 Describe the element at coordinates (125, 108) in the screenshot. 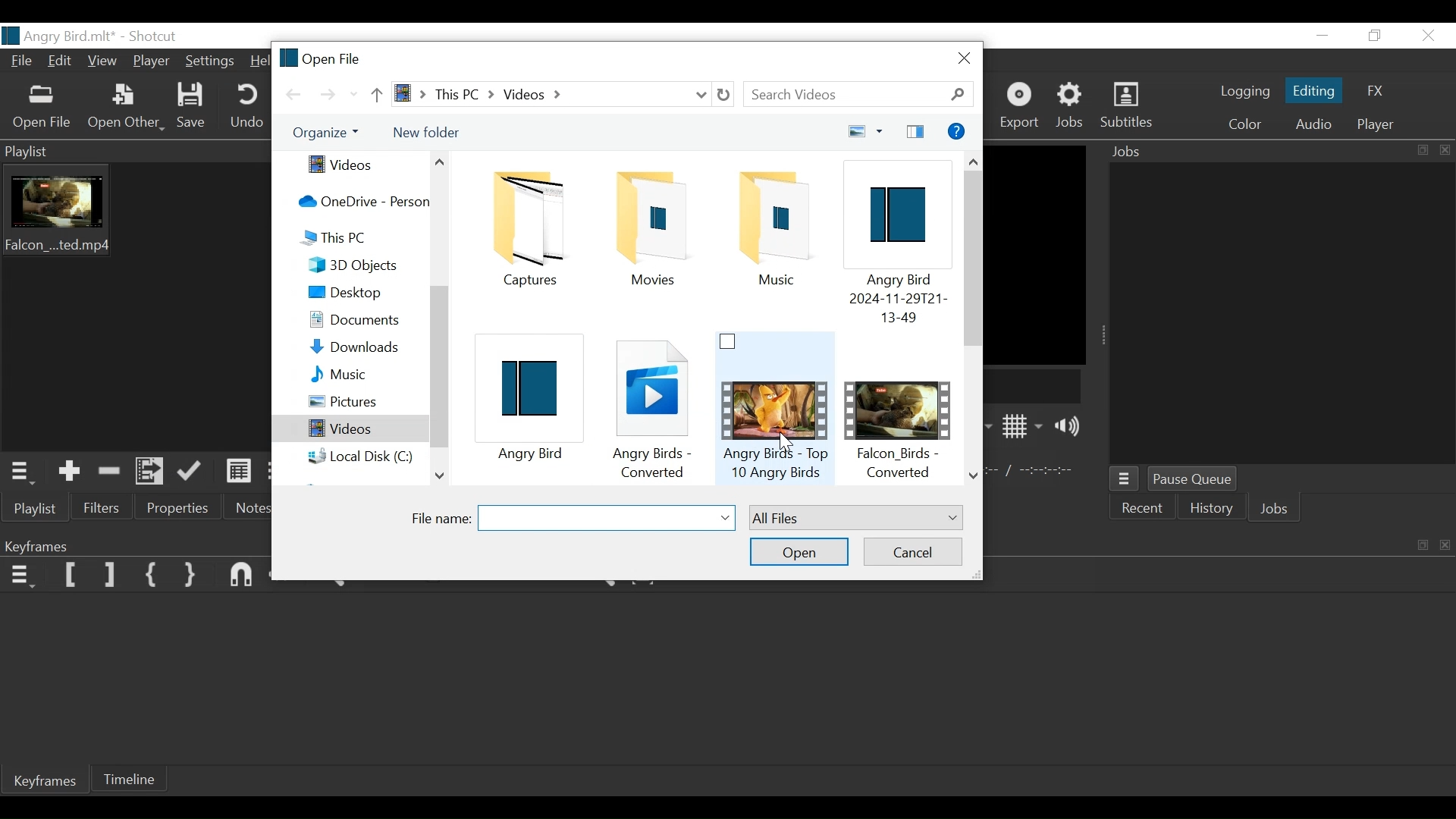

I see `Open Other` at that location.